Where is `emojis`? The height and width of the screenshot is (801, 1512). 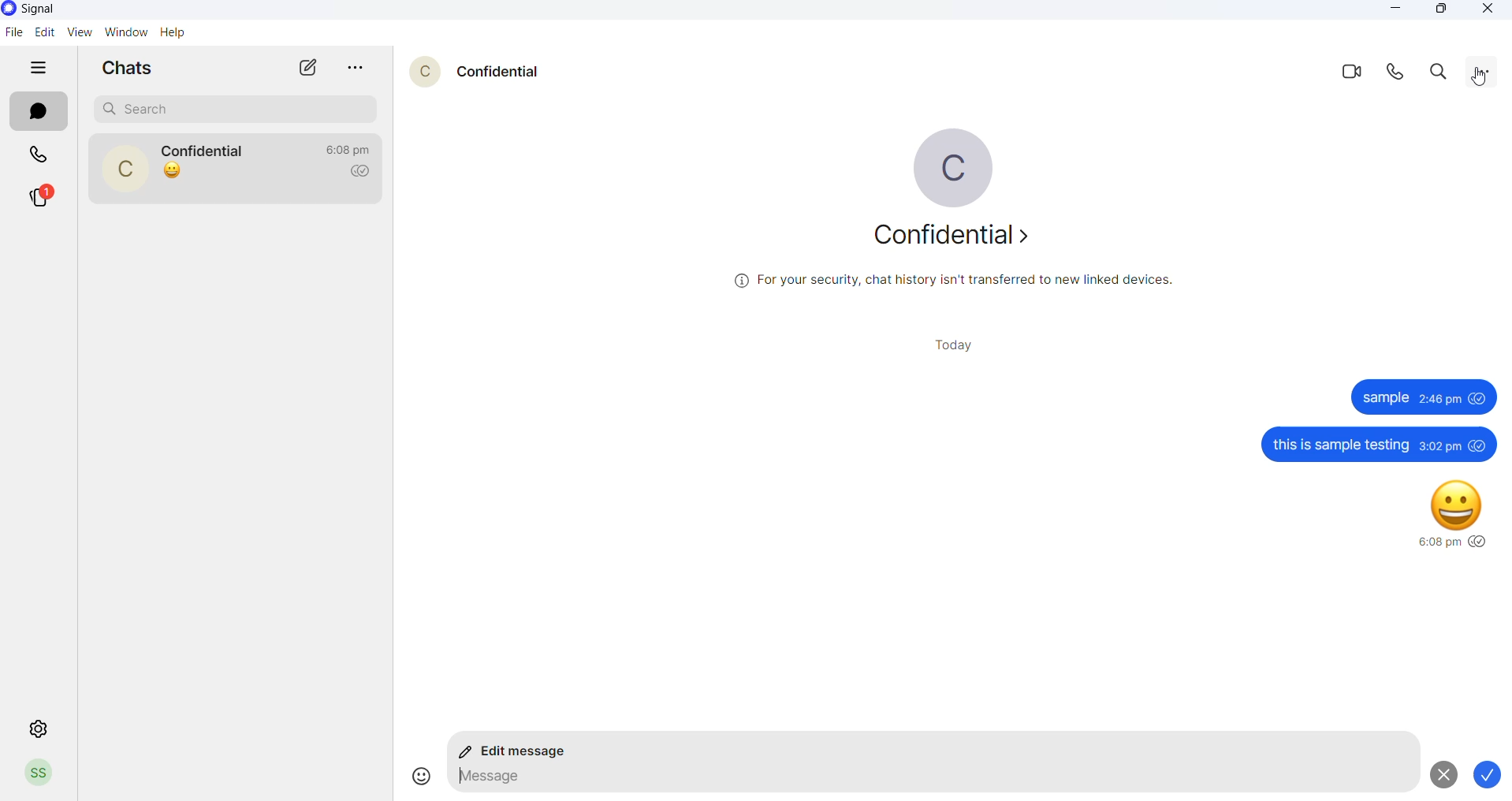
emojis is located at coordinates (415, 776).